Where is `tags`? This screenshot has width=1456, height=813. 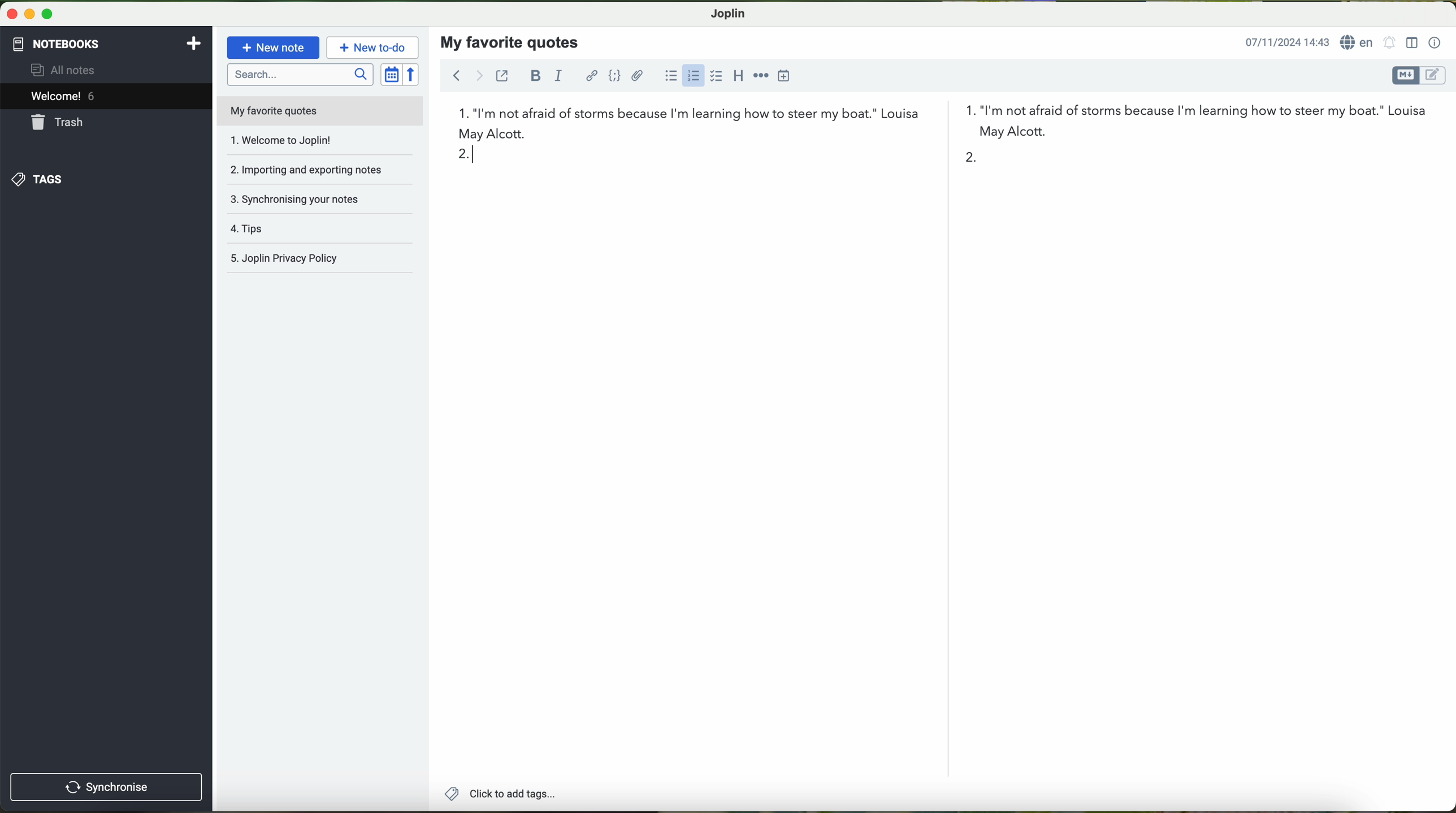
tags is located at coordinates (106, 179).